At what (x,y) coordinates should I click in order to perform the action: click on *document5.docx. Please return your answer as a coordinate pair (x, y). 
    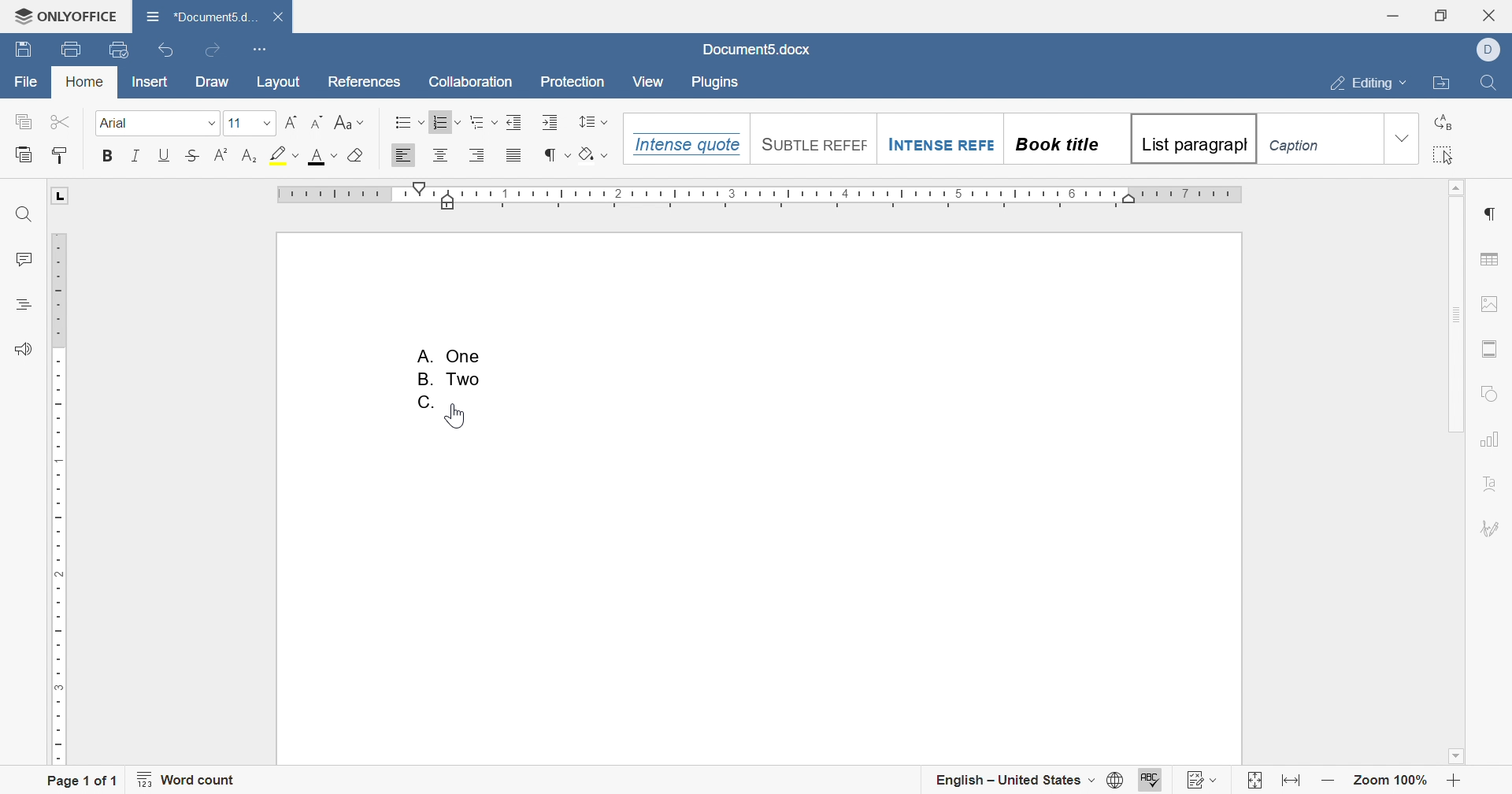
    Looking at the image, I should click on (203, 16).